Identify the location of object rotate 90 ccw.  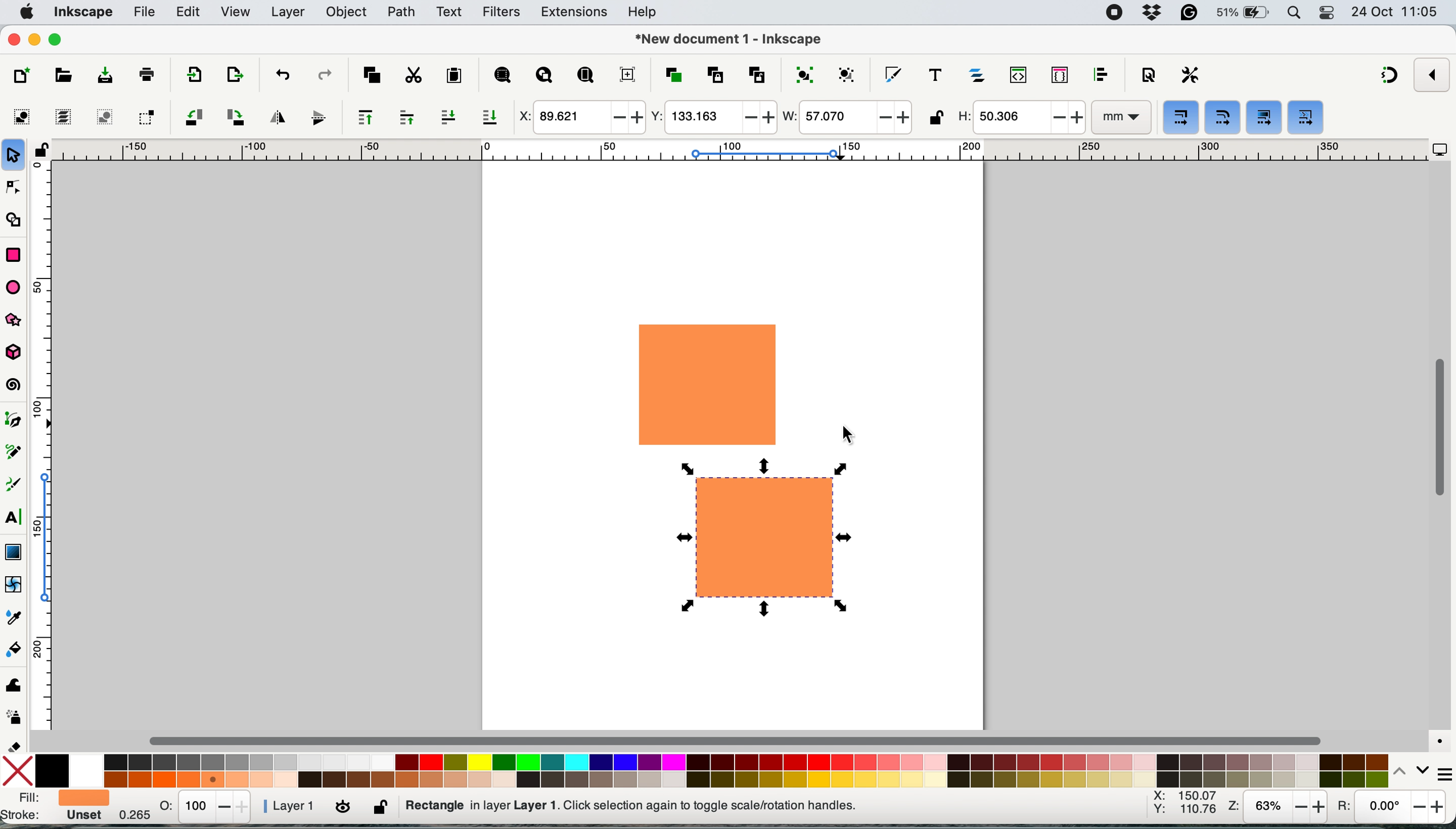
(192, 118).